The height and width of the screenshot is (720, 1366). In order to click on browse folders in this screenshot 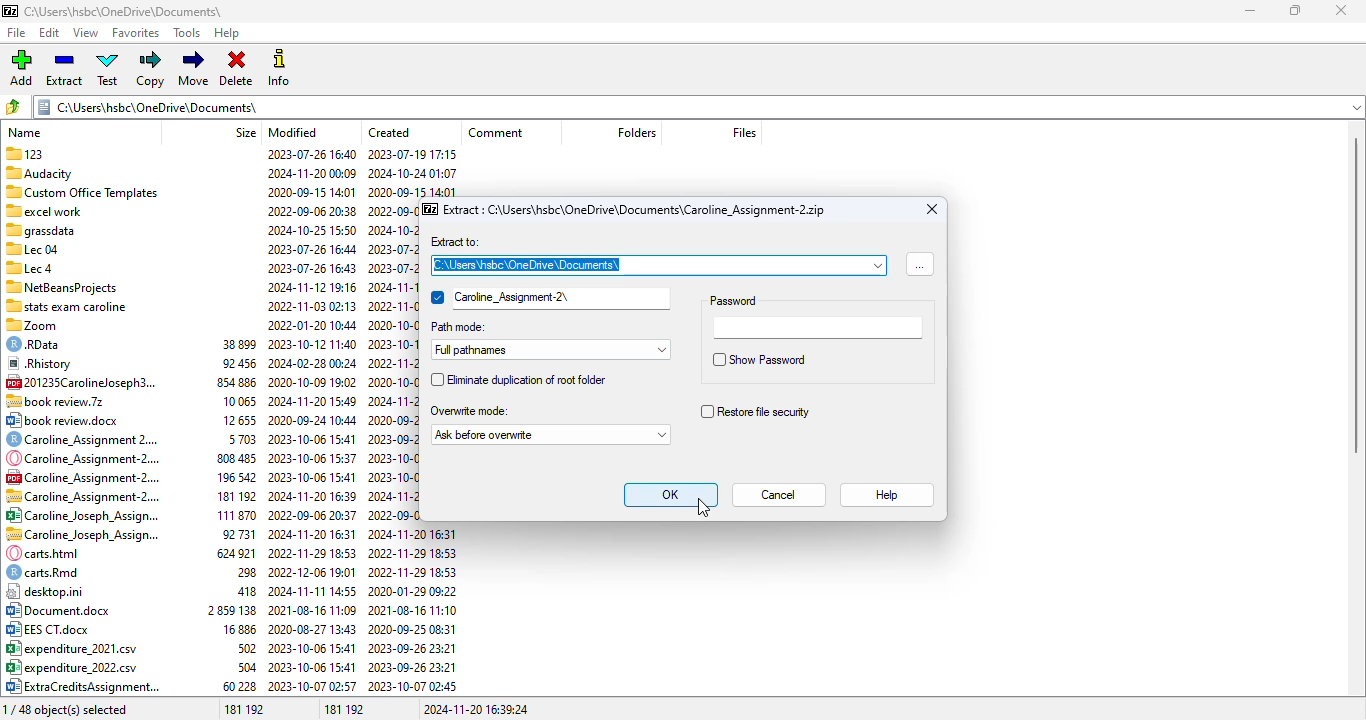, I will do `click(13, 107)`.